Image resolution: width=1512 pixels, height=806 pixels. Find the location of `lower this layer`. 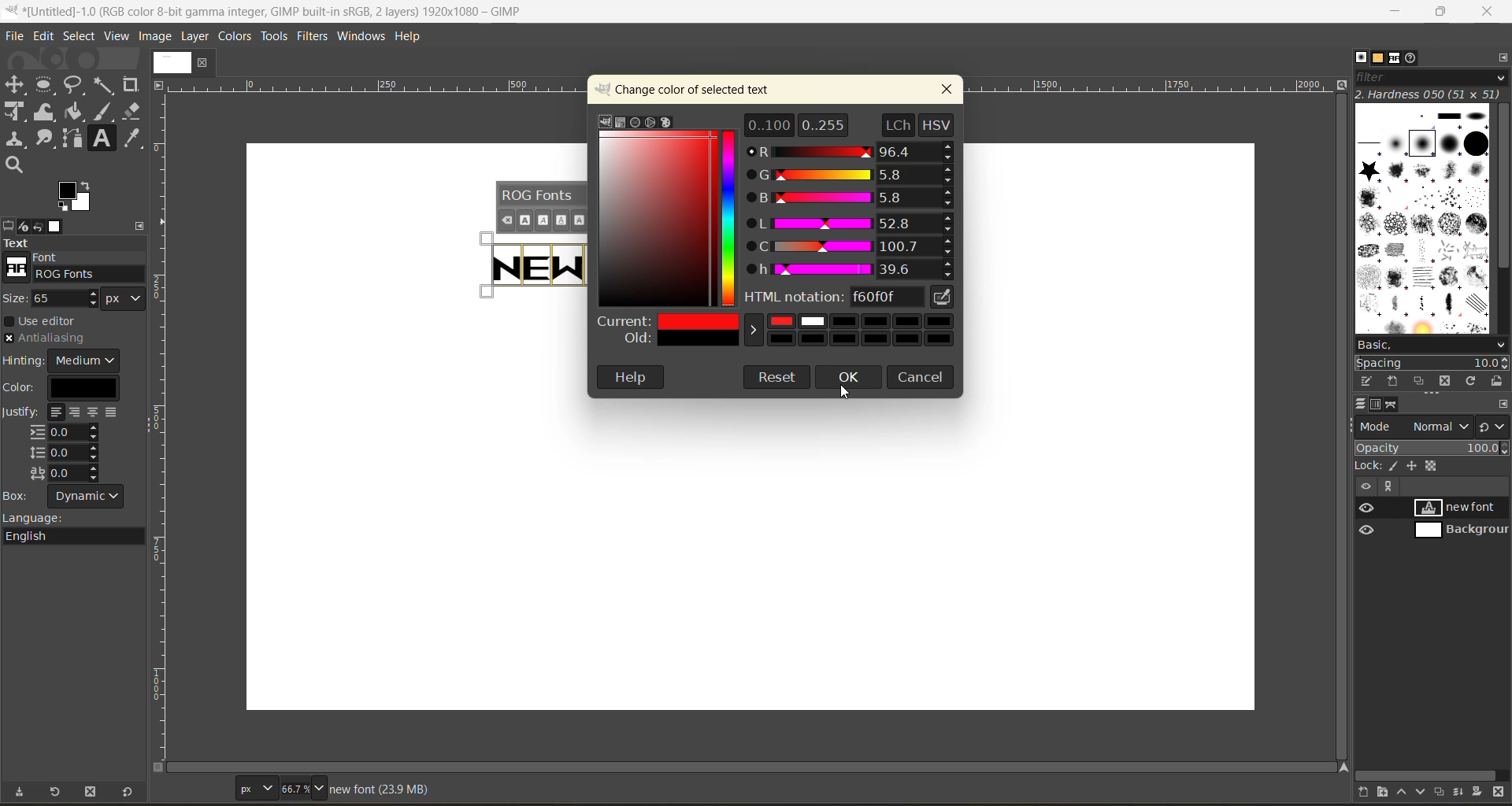

lower this layer is located at coordinates (1423, 791).